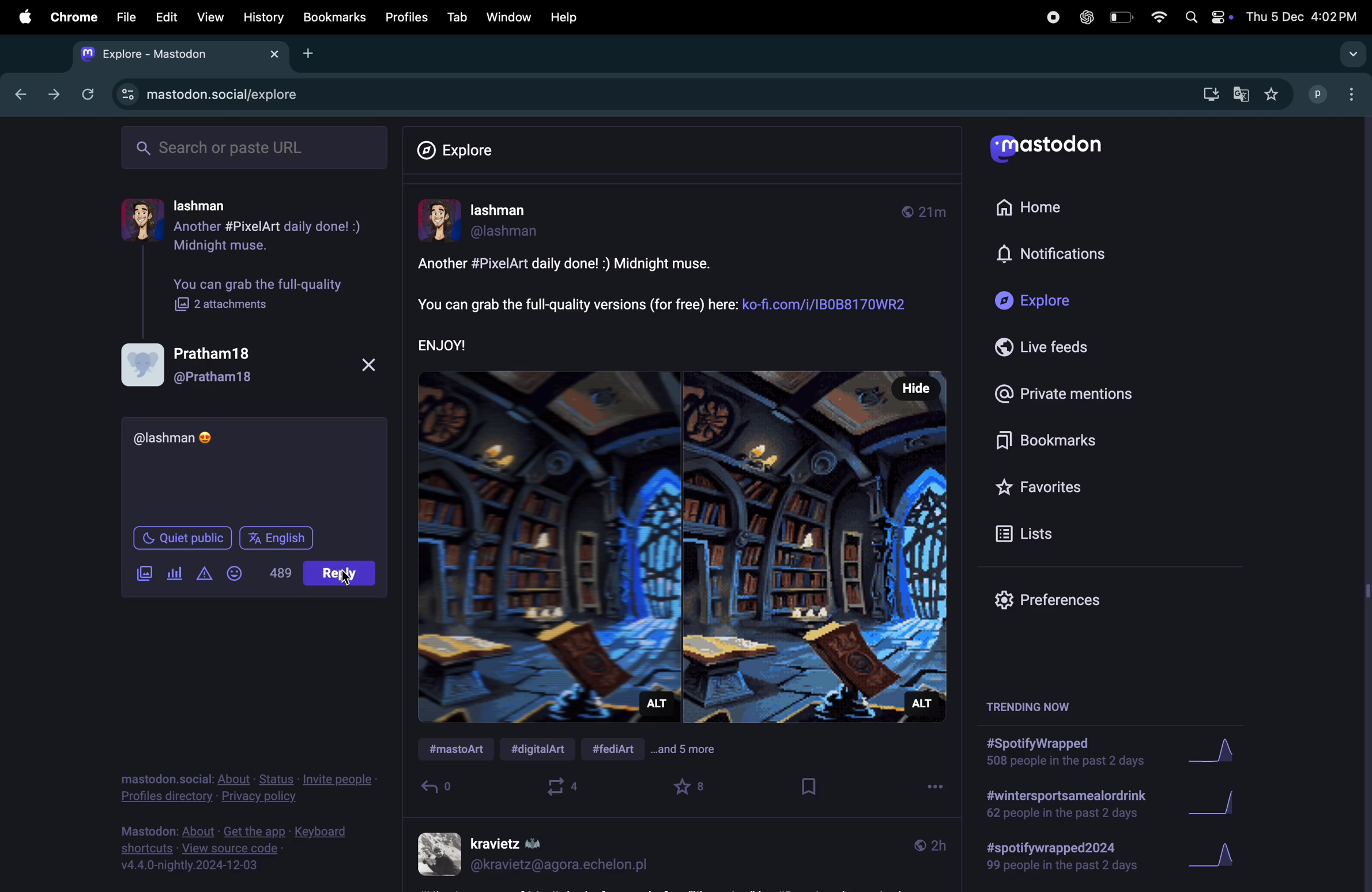 The width and height of the screenshot is (1372, 892). I want to click on time line, so click(926, 845).